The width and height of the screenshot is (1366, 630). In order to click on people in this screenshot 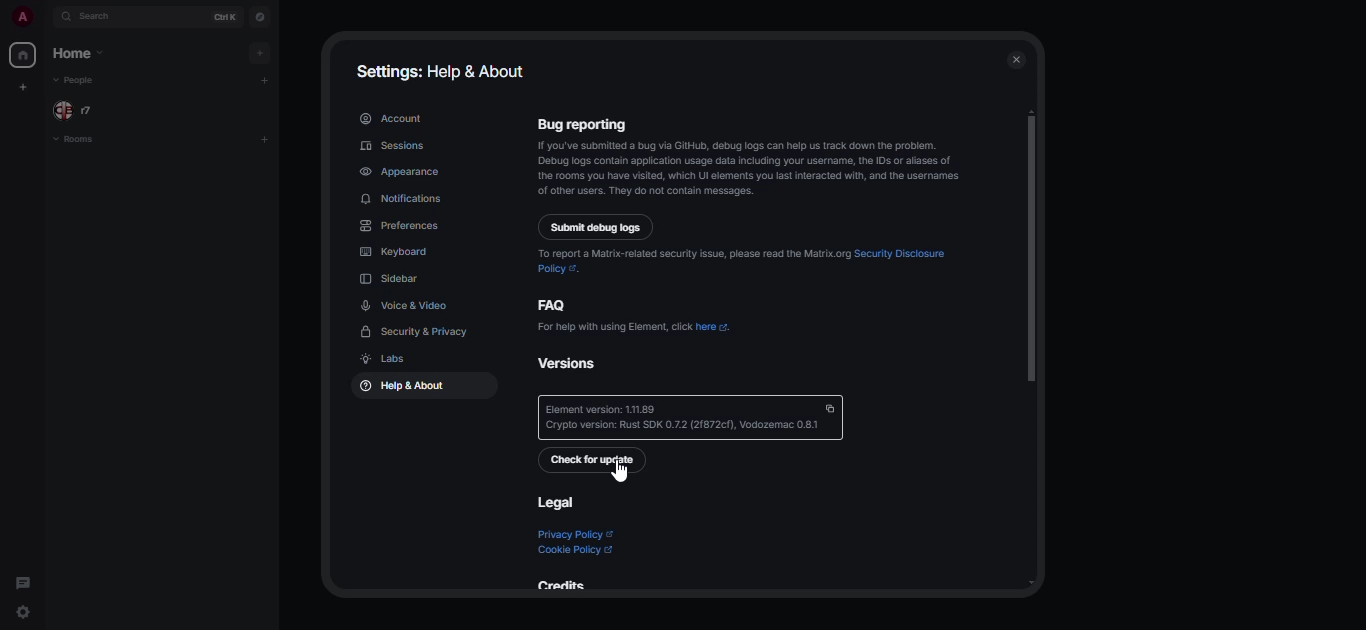, I will do `click(81, 109)`.